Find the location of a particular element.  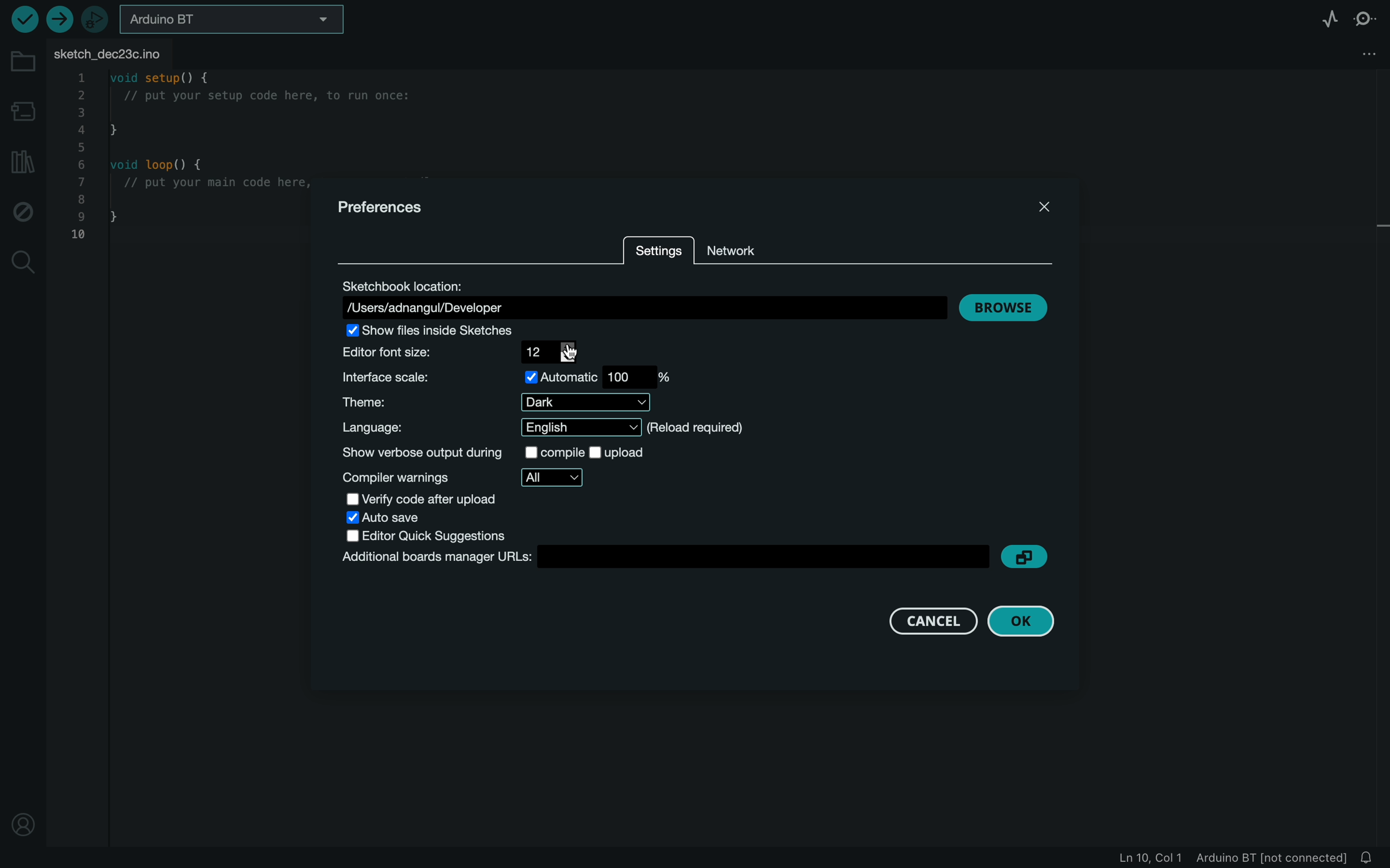

settings is located at coordinates (660, 249).